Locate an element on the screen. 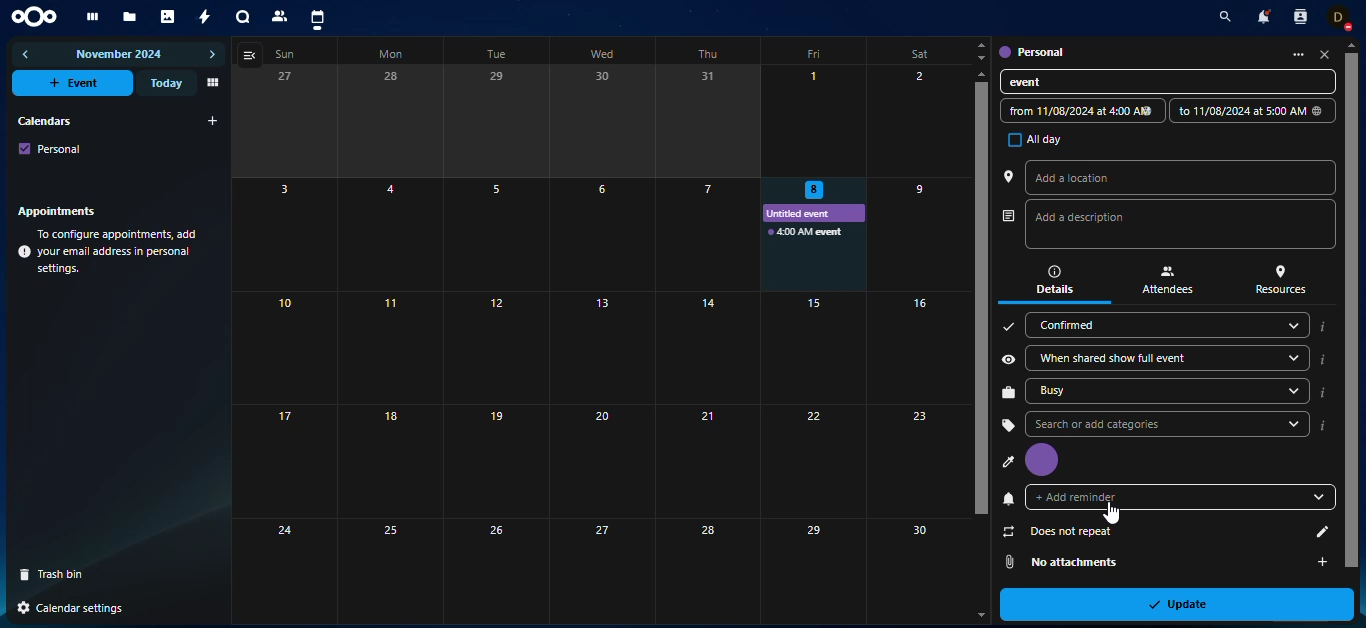 This screenshot has height=628, width=1366.  is located at coordinates (812, 460).